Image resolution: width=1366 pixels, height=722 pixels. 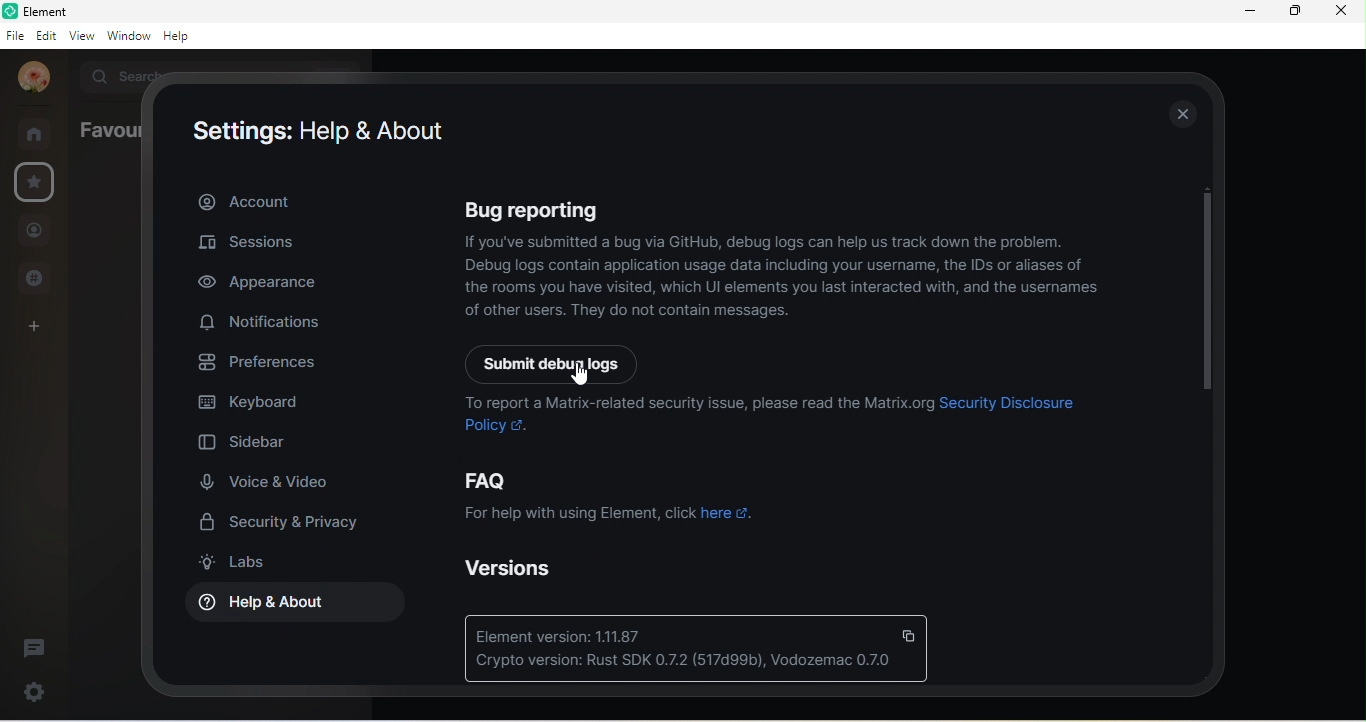 What do you see at coordinates (249, 405) in the screenshot?
I see `keyboard` at bounding box center [249, 405].